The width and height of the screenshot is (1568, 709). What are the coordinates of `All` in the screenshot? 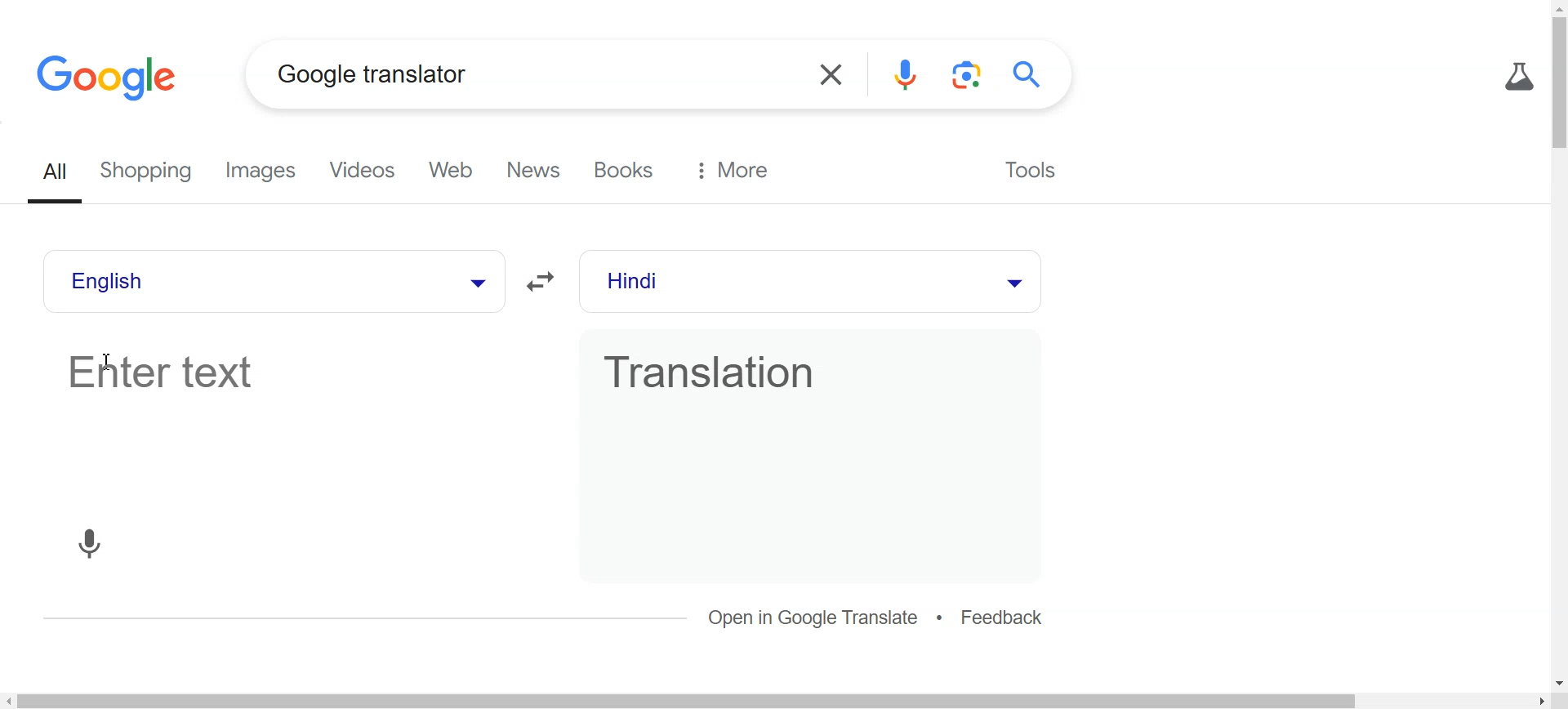 It's located at (58, 173).